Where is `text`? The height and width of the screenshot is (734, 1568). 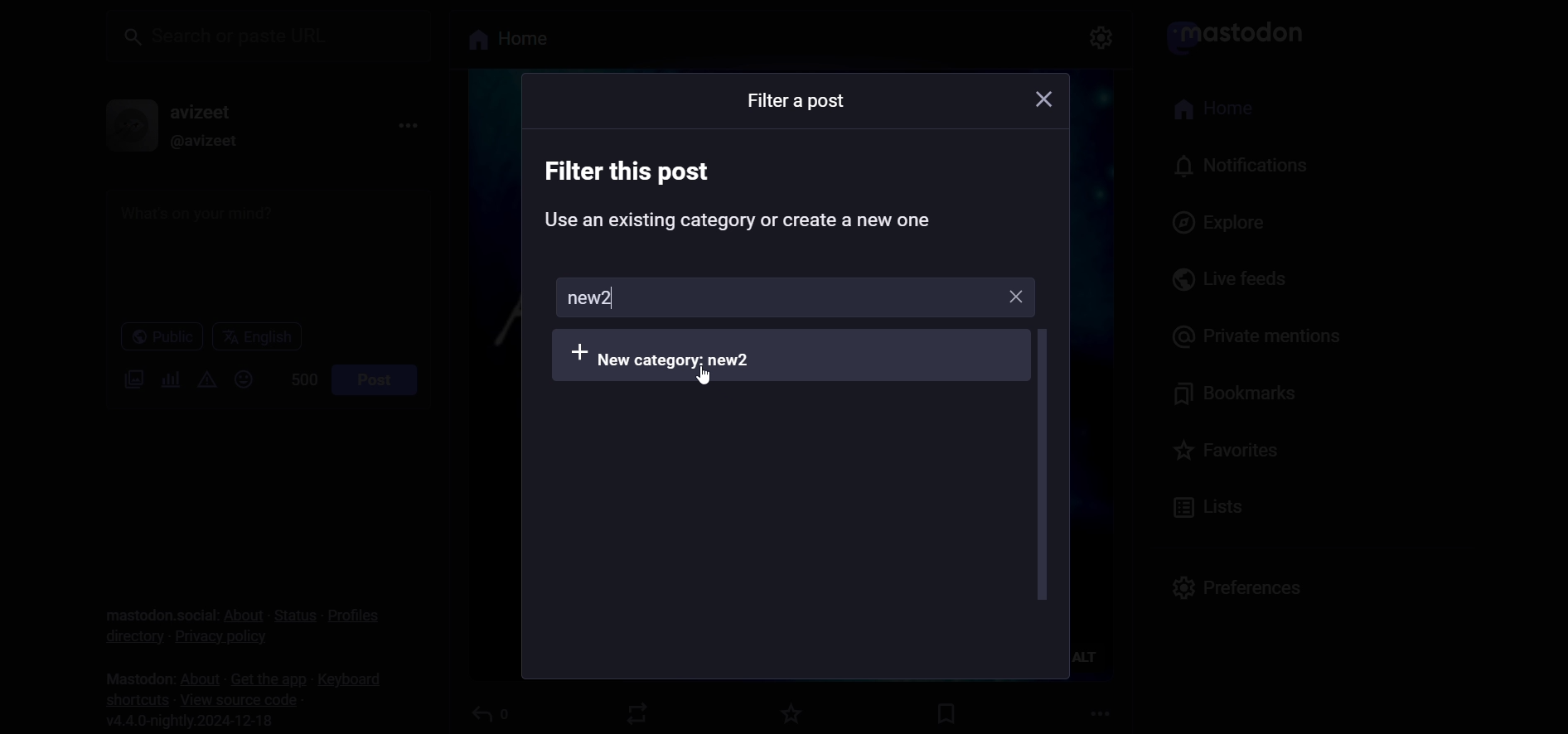 text is located at coordinates (796, 101).